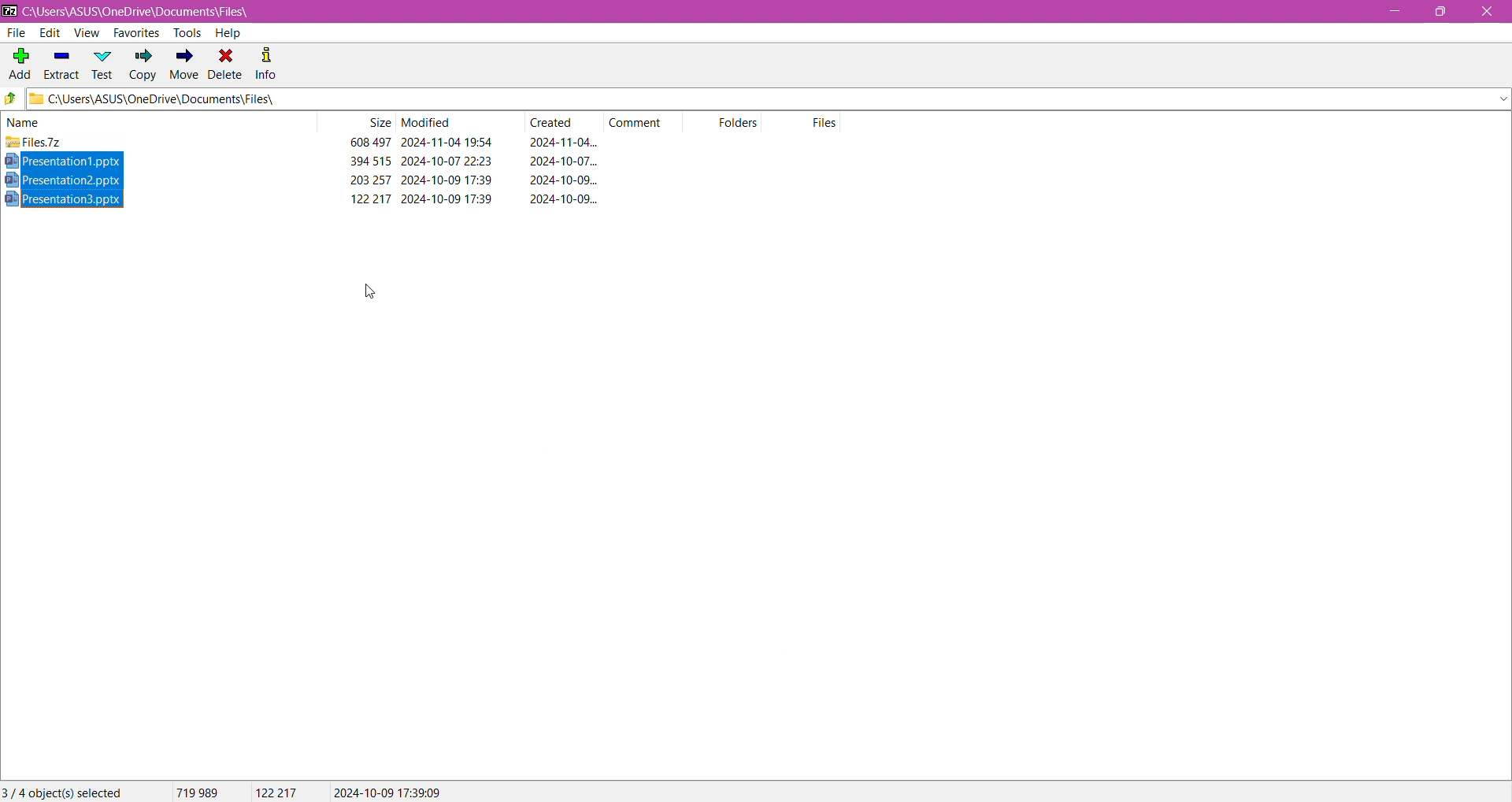  What do you see at coordinates (228, 33) in the screenshot?
I see `Help` at bounding box center [228, 33].